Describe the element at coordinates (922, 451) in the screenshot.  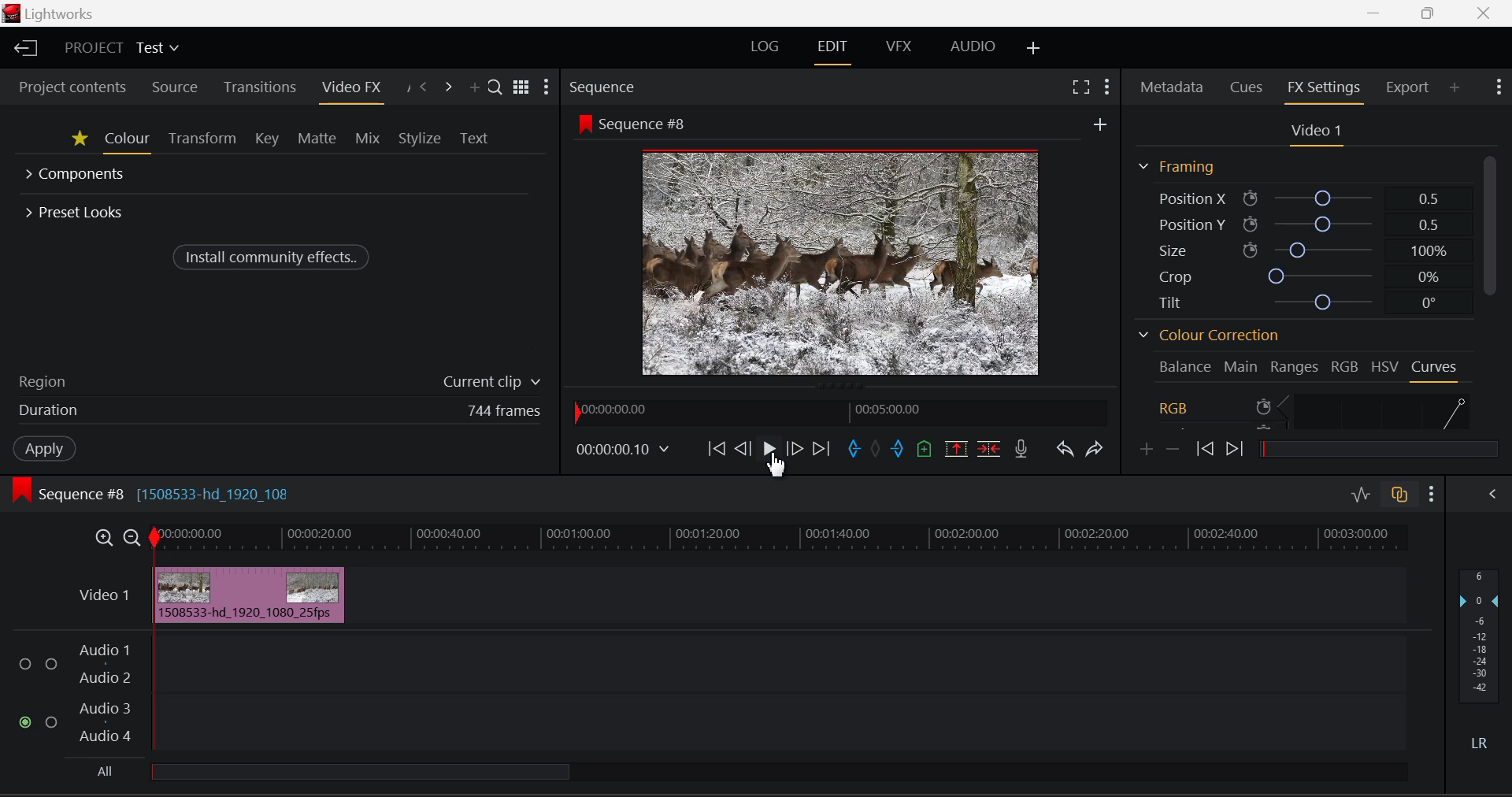
I see `Mark Cue` at that location.